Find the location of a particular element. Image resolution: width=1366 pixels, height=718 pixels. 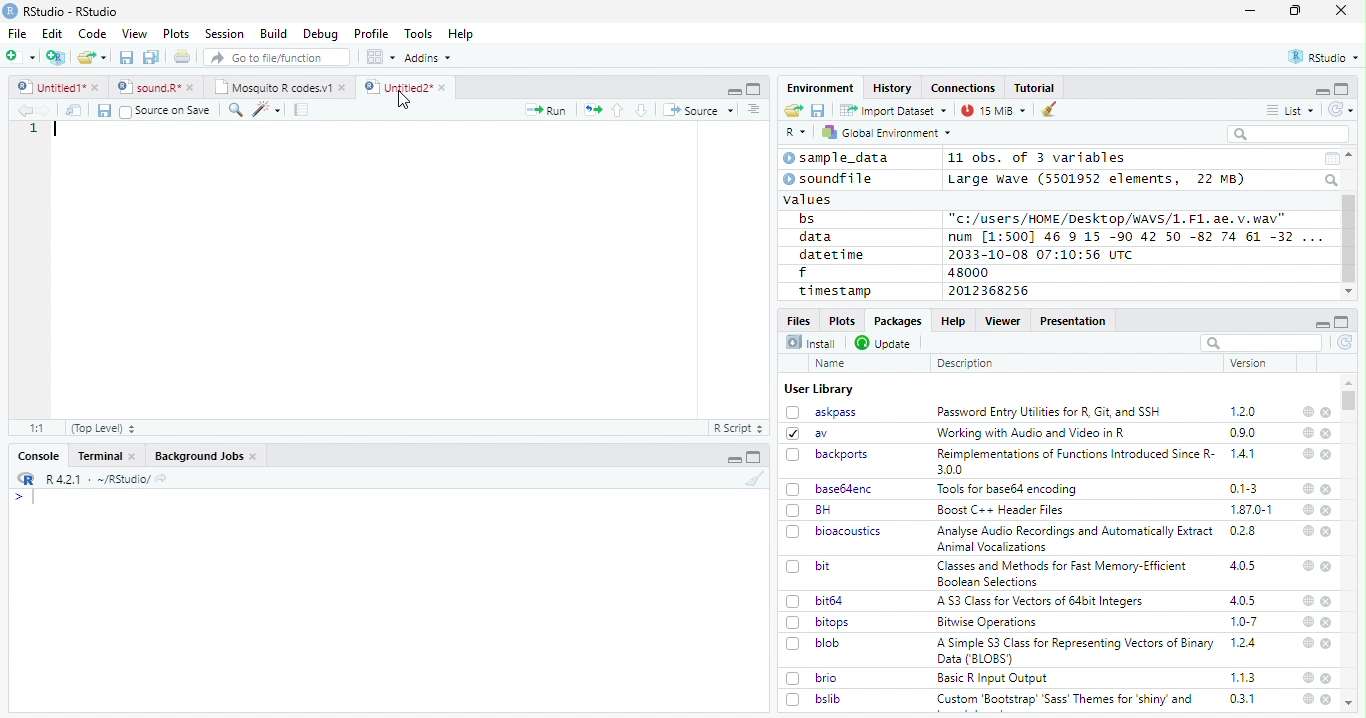

Bitwise Operations is located at coordinates (989, 622).